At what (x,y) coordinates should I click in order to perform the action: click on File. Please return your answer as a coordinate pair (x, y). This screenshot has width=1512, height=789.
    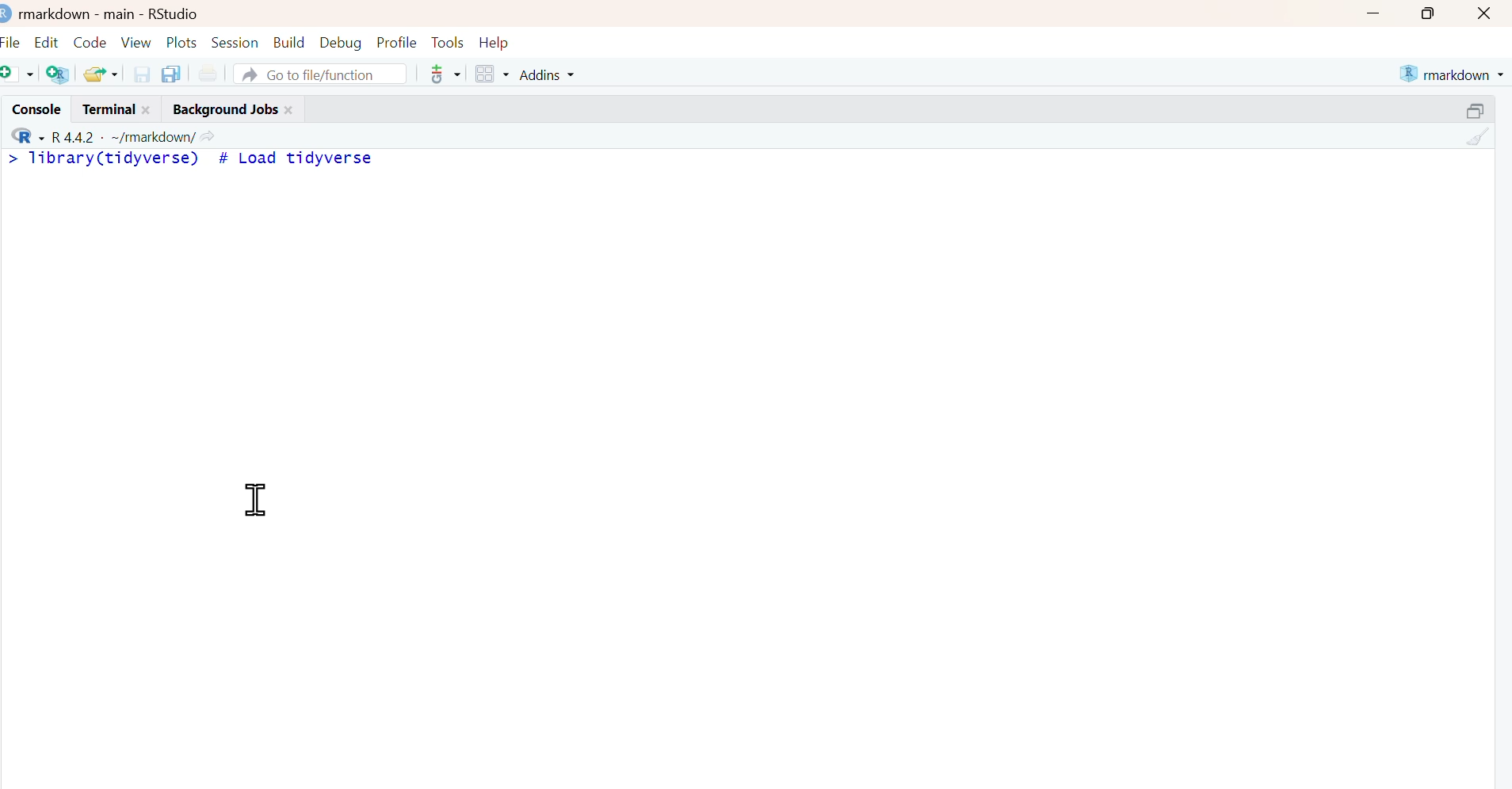
    Looking at the image, I should click on (13, 40).